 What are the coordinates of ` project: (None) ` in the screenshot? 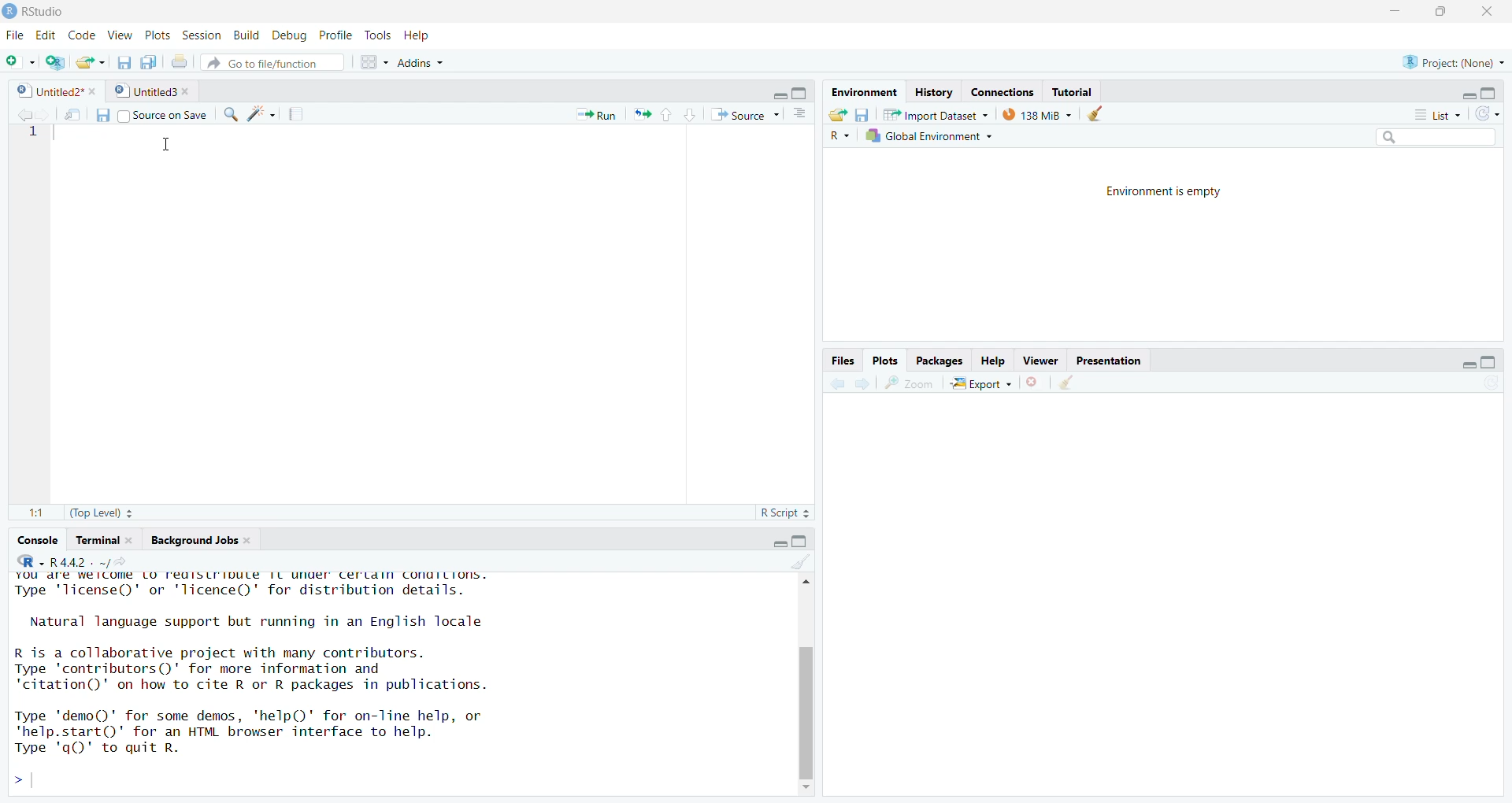 It's located at (1457, 61).